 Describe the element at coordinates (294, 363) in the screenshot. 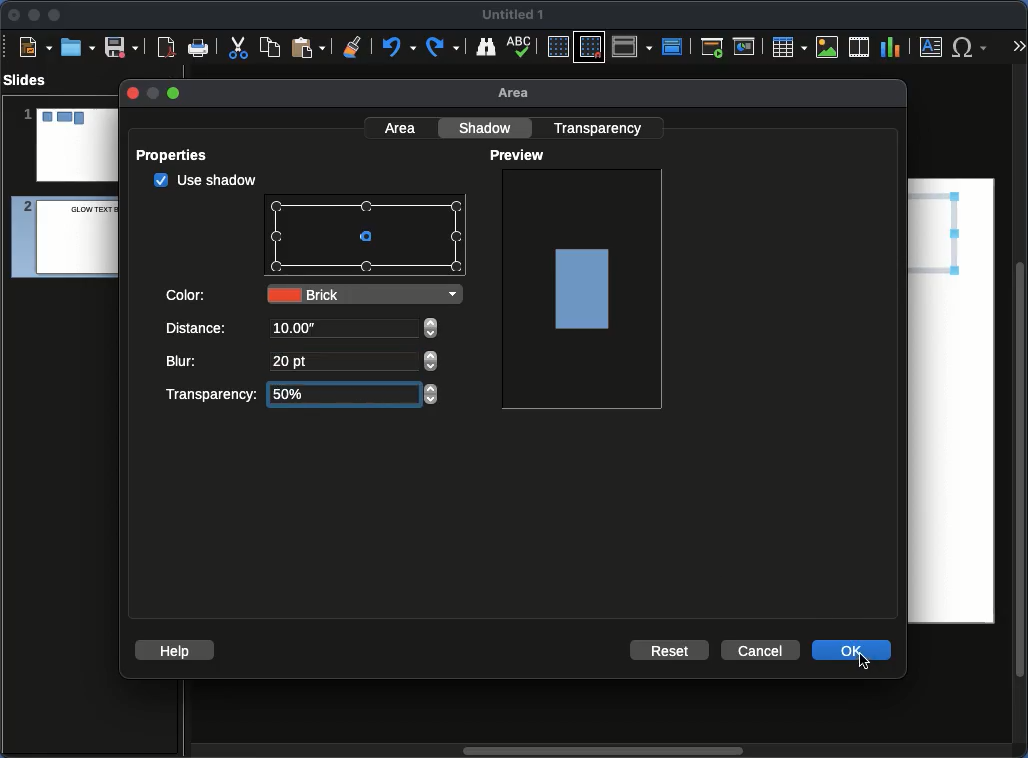

I see `20 pt` at that location.